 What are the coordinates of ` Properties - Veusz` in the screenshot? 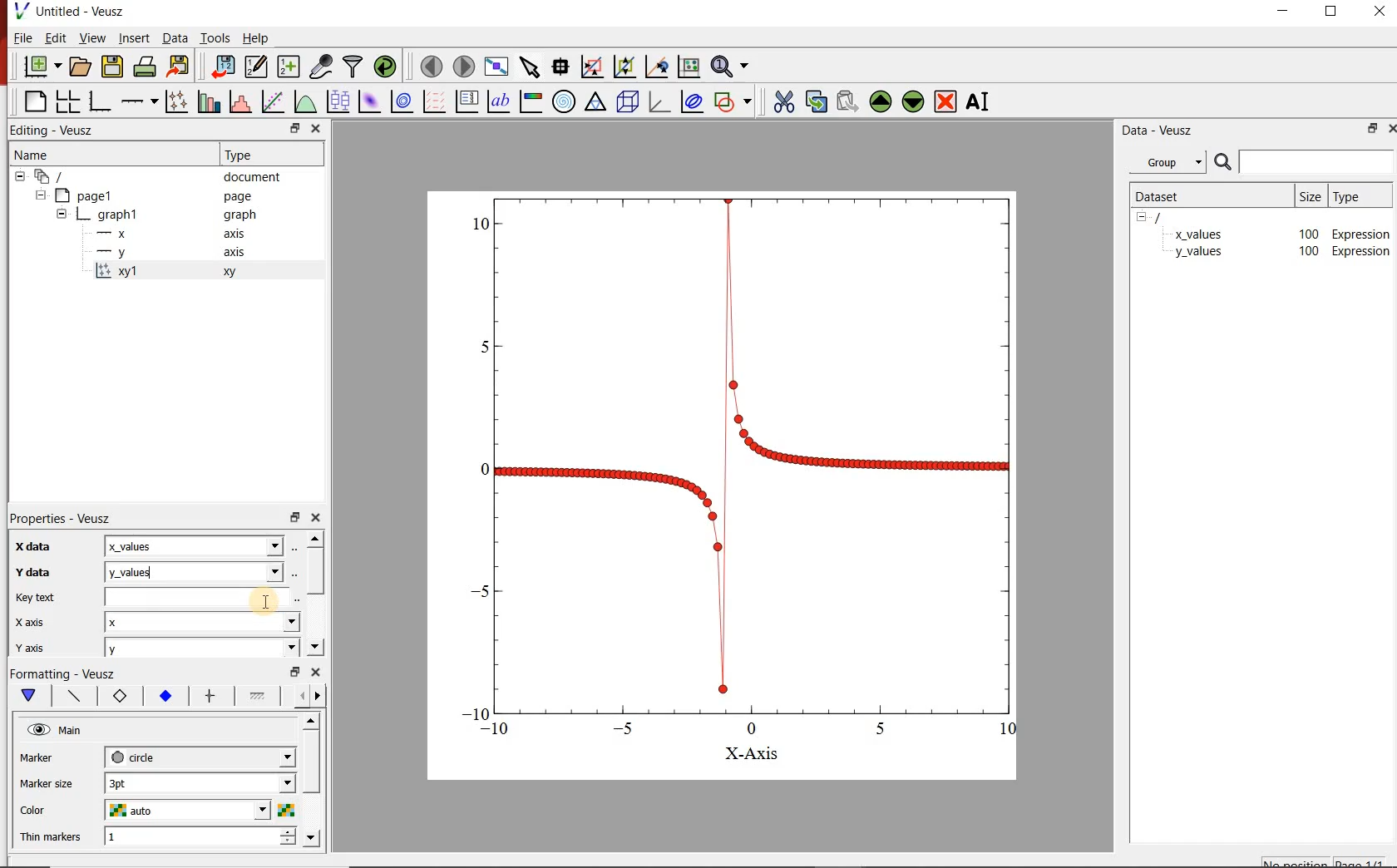 It's located at (65, 518).